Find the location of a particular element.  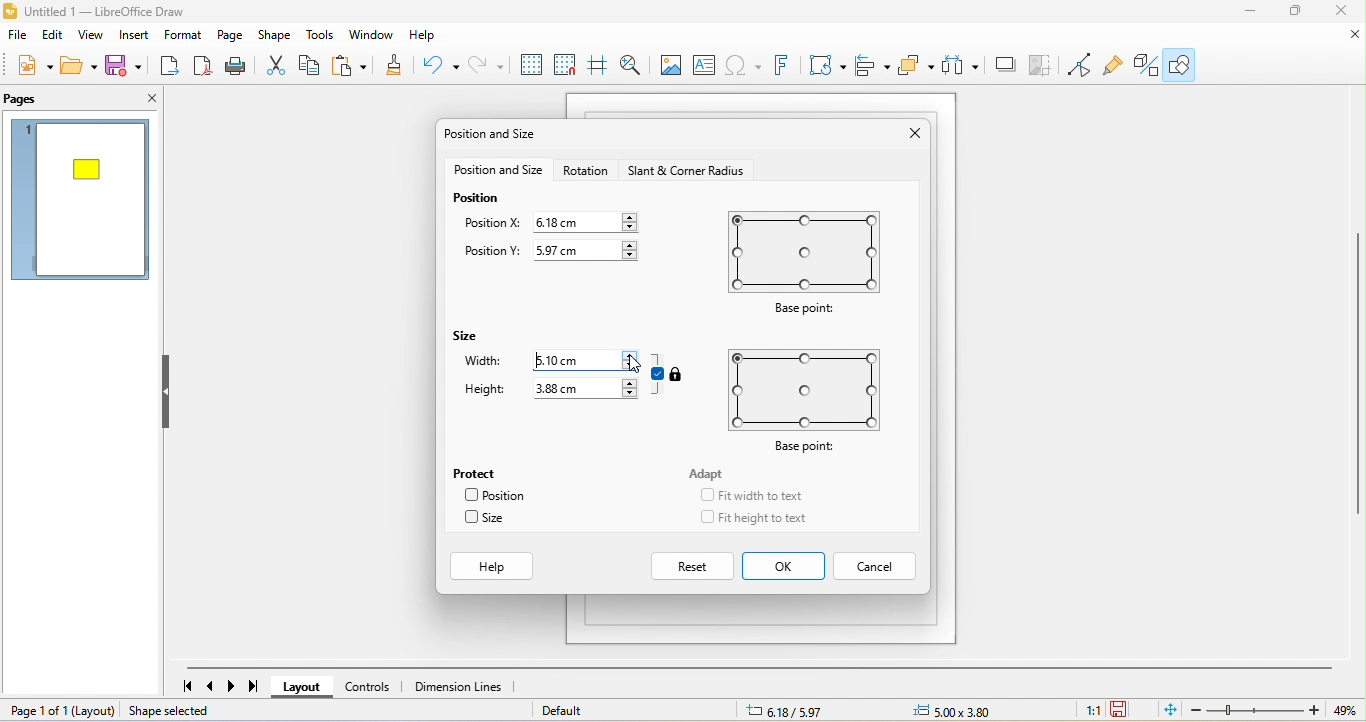

base point is located at coordinates (815, 262).